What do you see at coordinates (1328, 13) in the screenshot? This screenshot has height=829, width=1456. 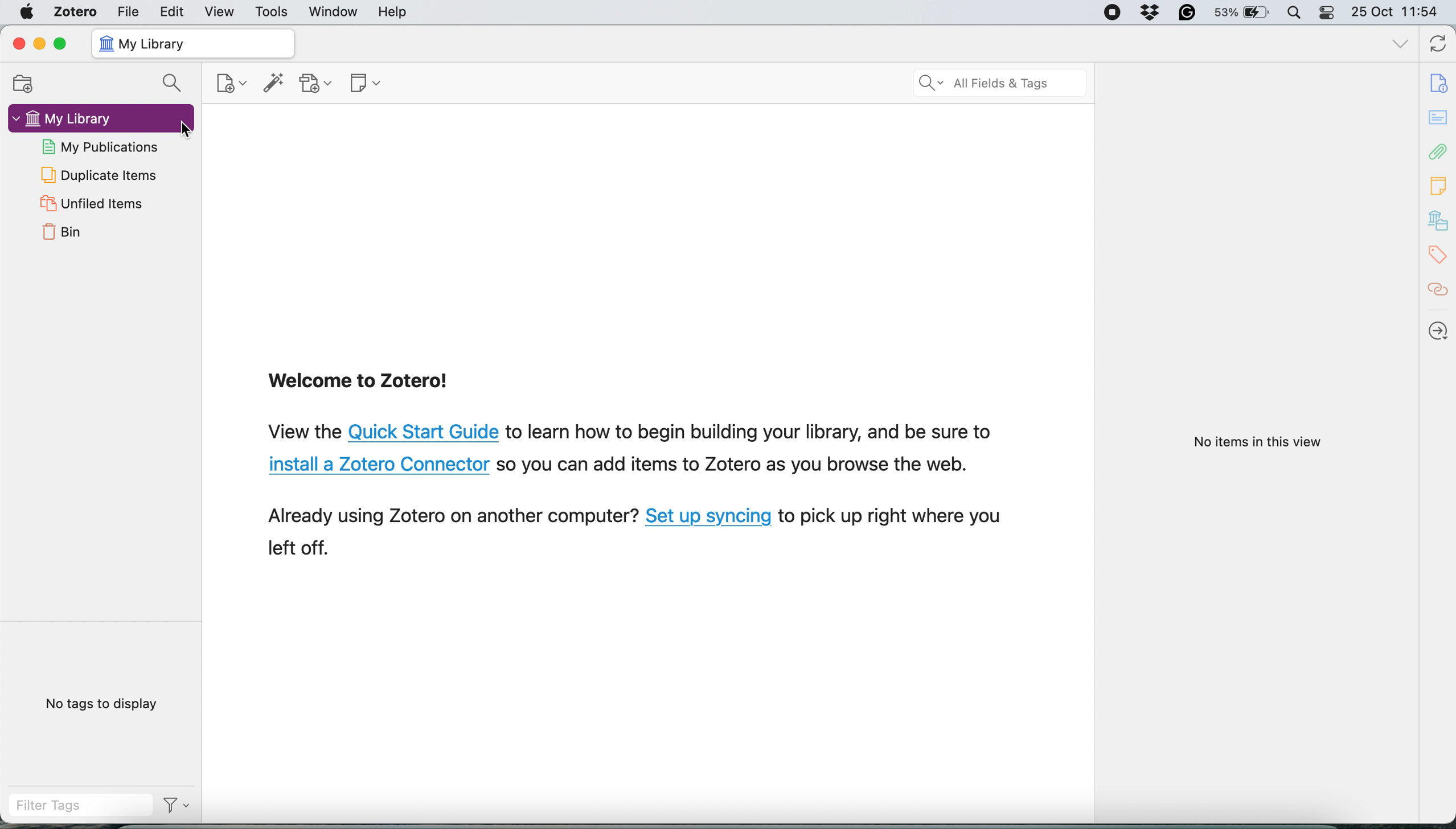 I see `control center` at bounding box center [1328, 13].